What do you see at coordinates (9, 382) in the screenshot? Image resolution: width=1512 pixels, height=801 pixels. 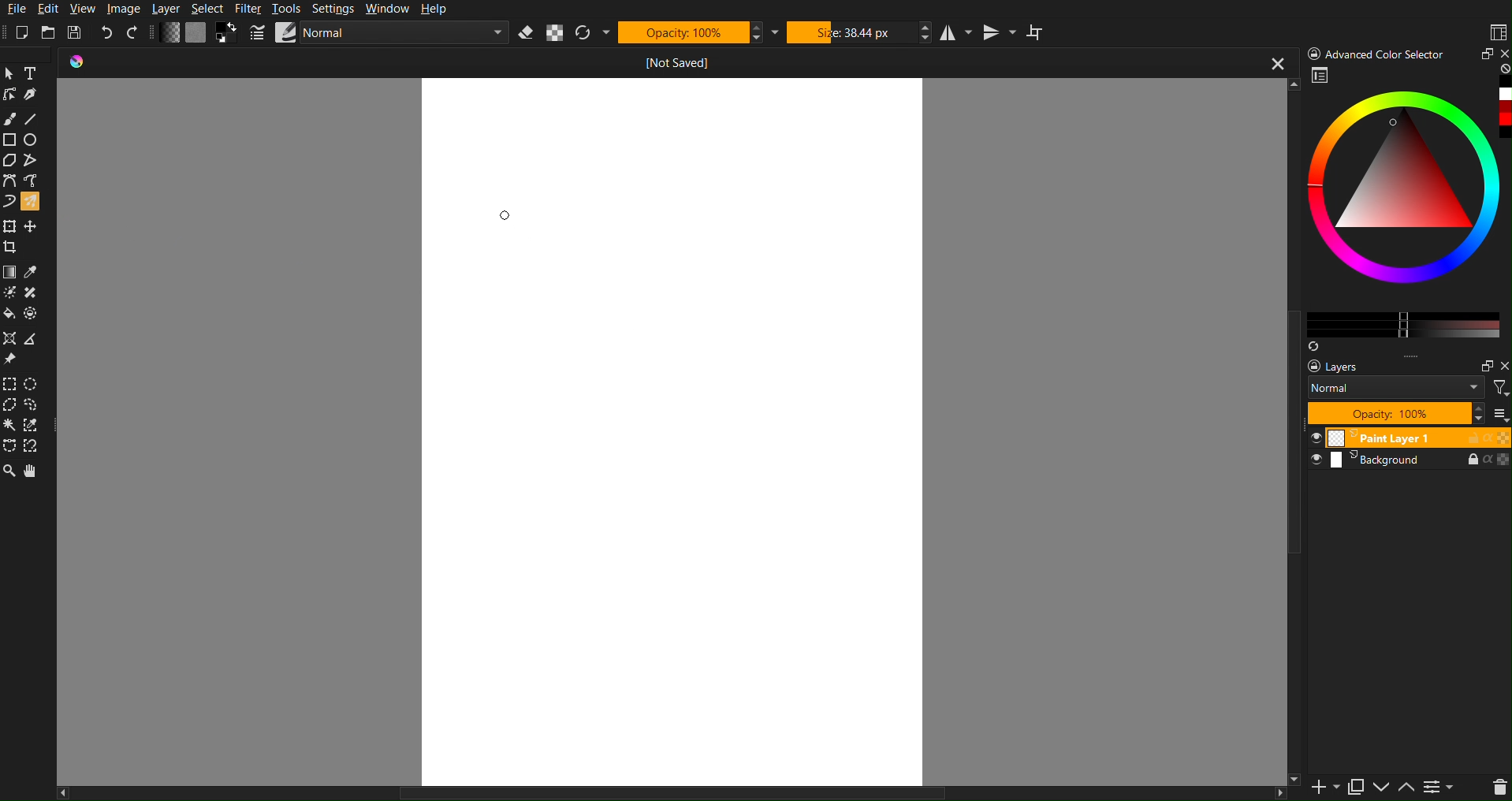 I see `Rectangular selection Tool` at bounding box center [9, 382].